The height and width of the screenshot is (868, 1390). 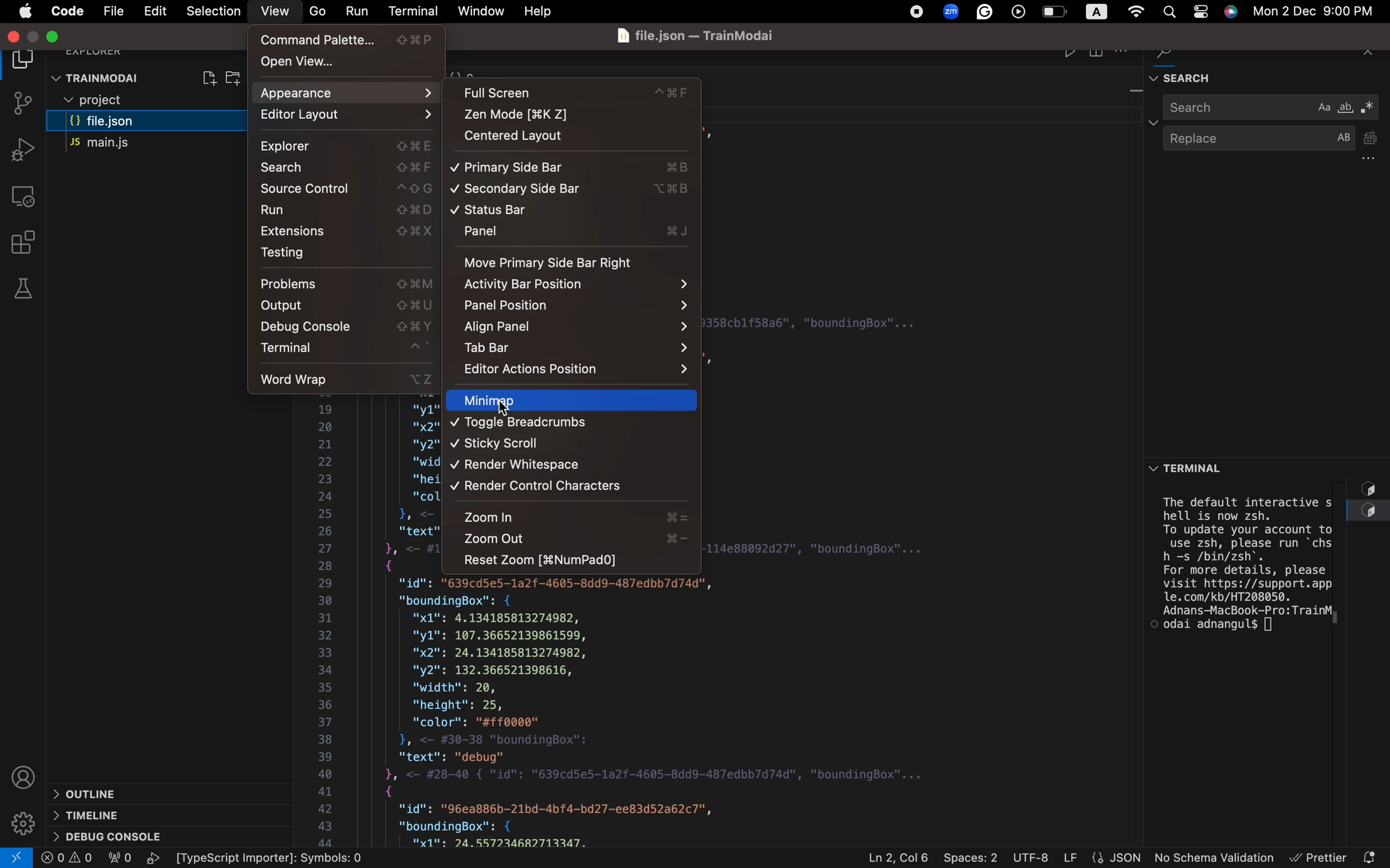 What do you see at coordinates (346, 285) in the screenshot?
I see `problems` at bounding box center [346, 285].